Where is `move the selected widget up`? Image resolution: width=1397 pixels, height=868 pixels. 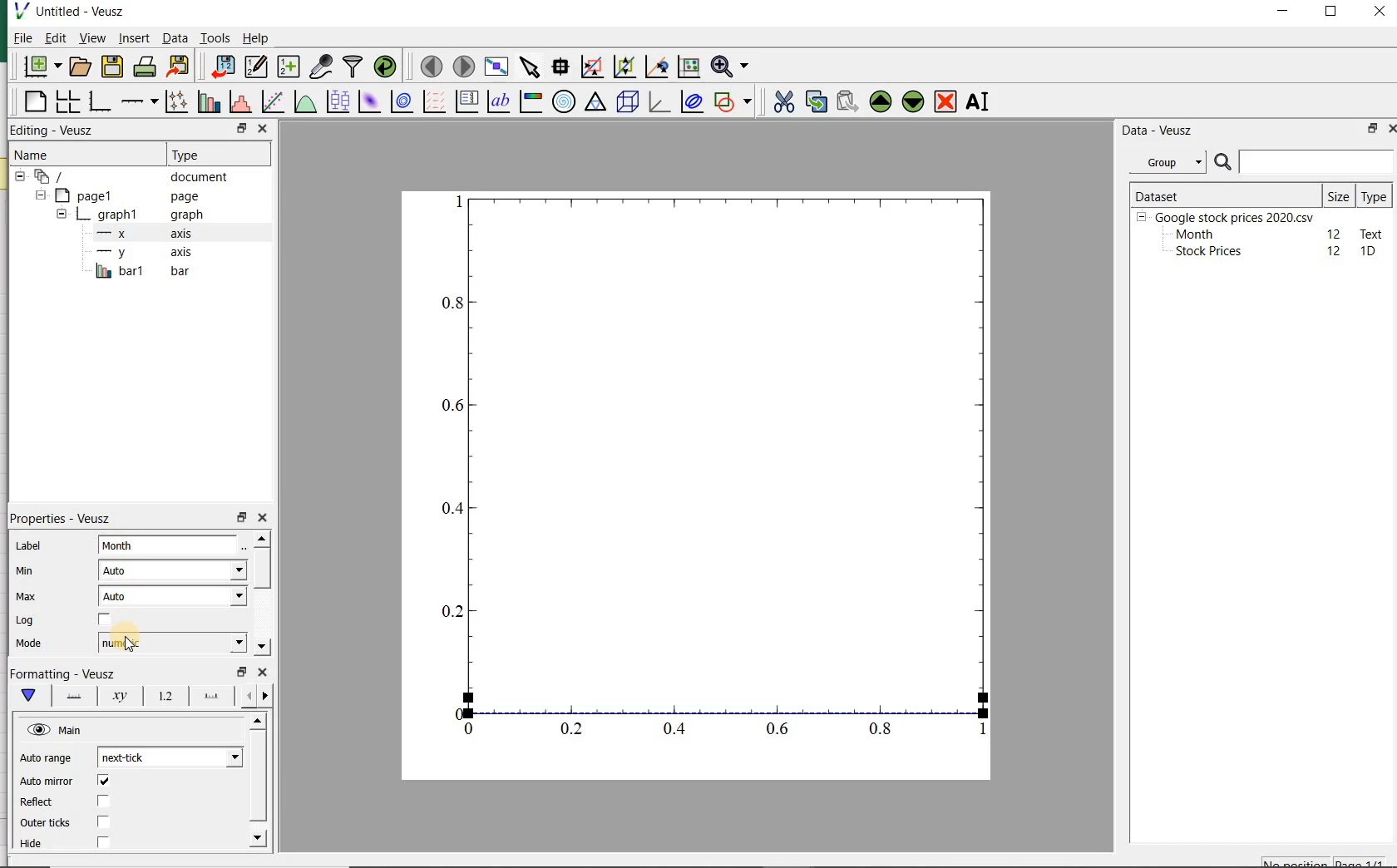 move the selected widget up is located at coordinates (881, 101).